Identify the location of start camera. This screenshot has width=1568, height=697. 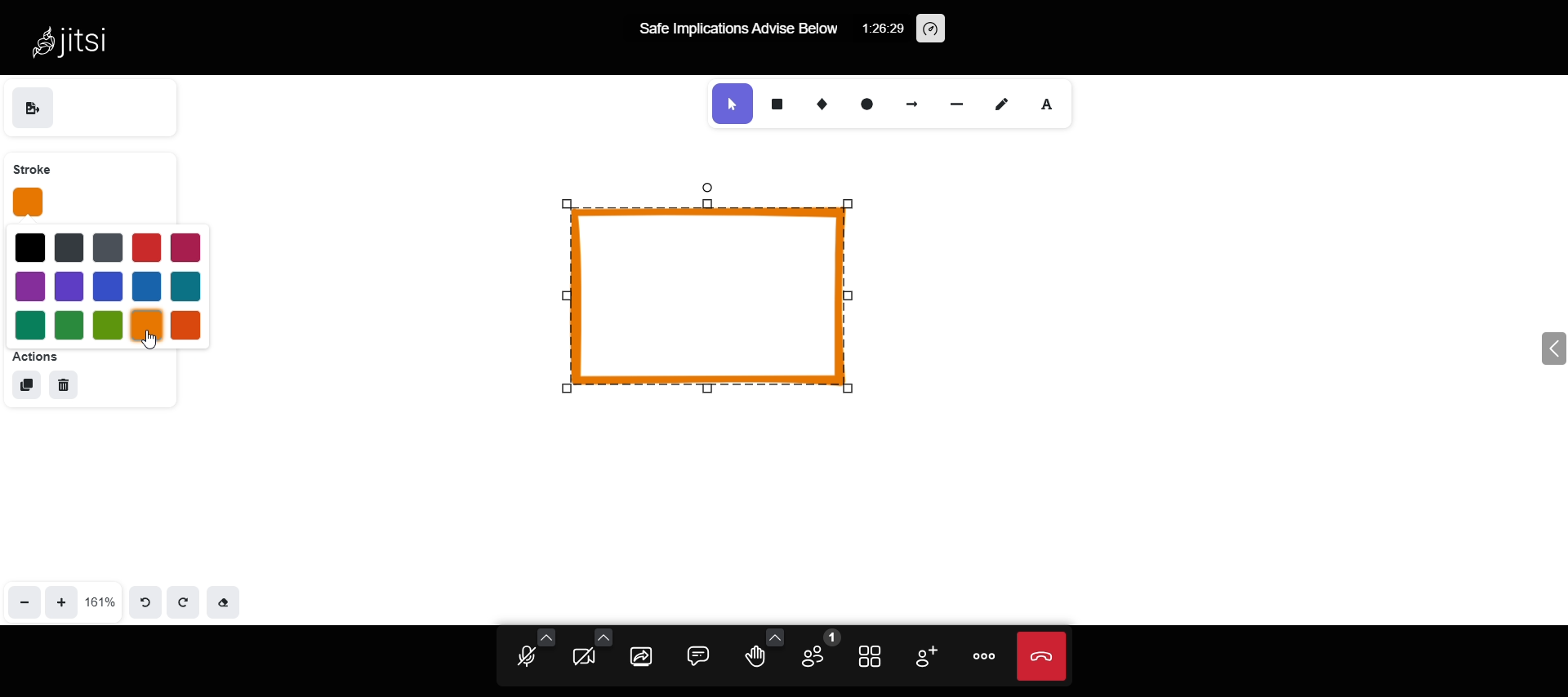
(583, 657).